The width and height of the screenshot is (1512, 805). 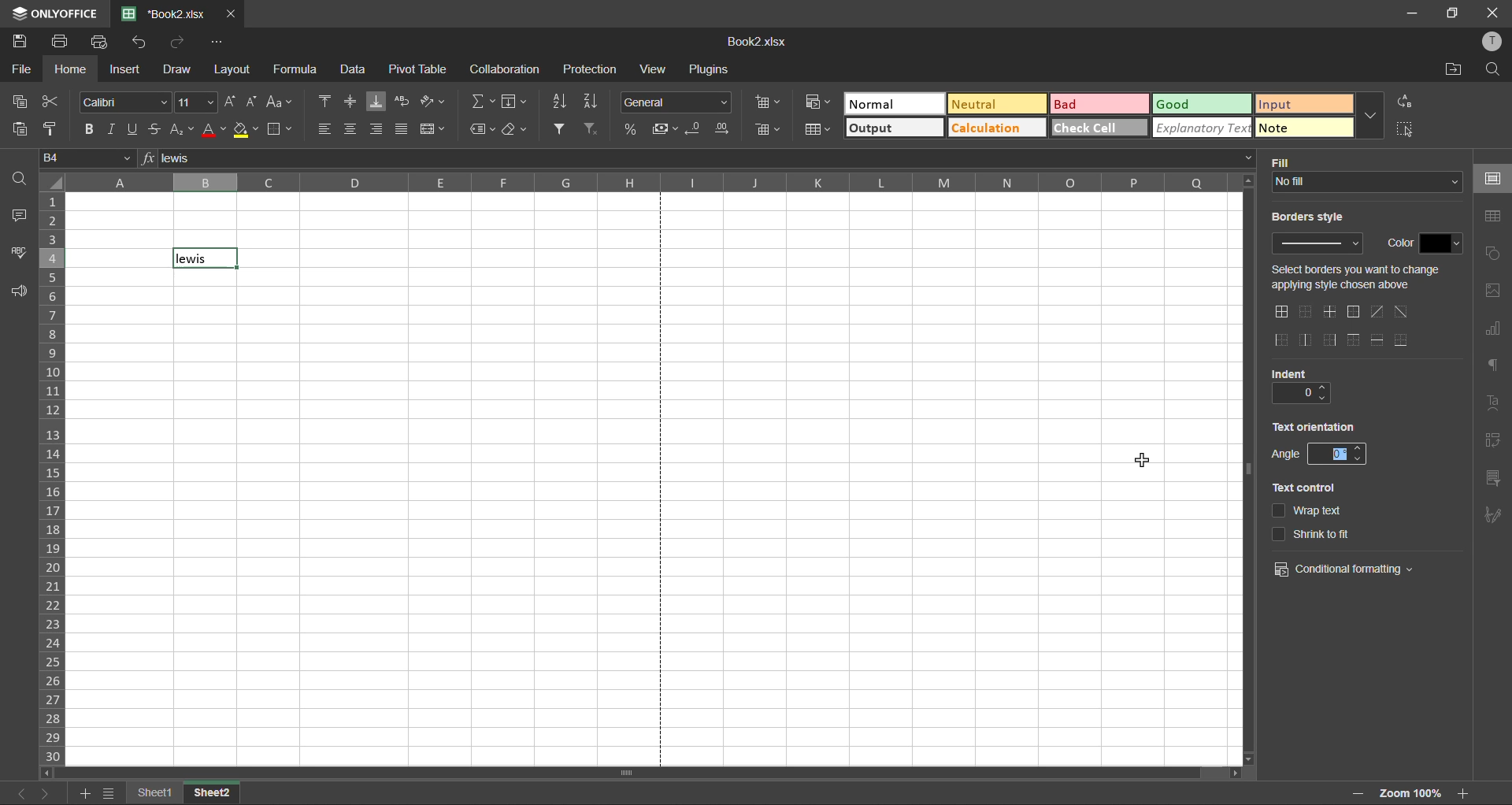 I want to click on diagonal down border, so click(x=1400, y=310).